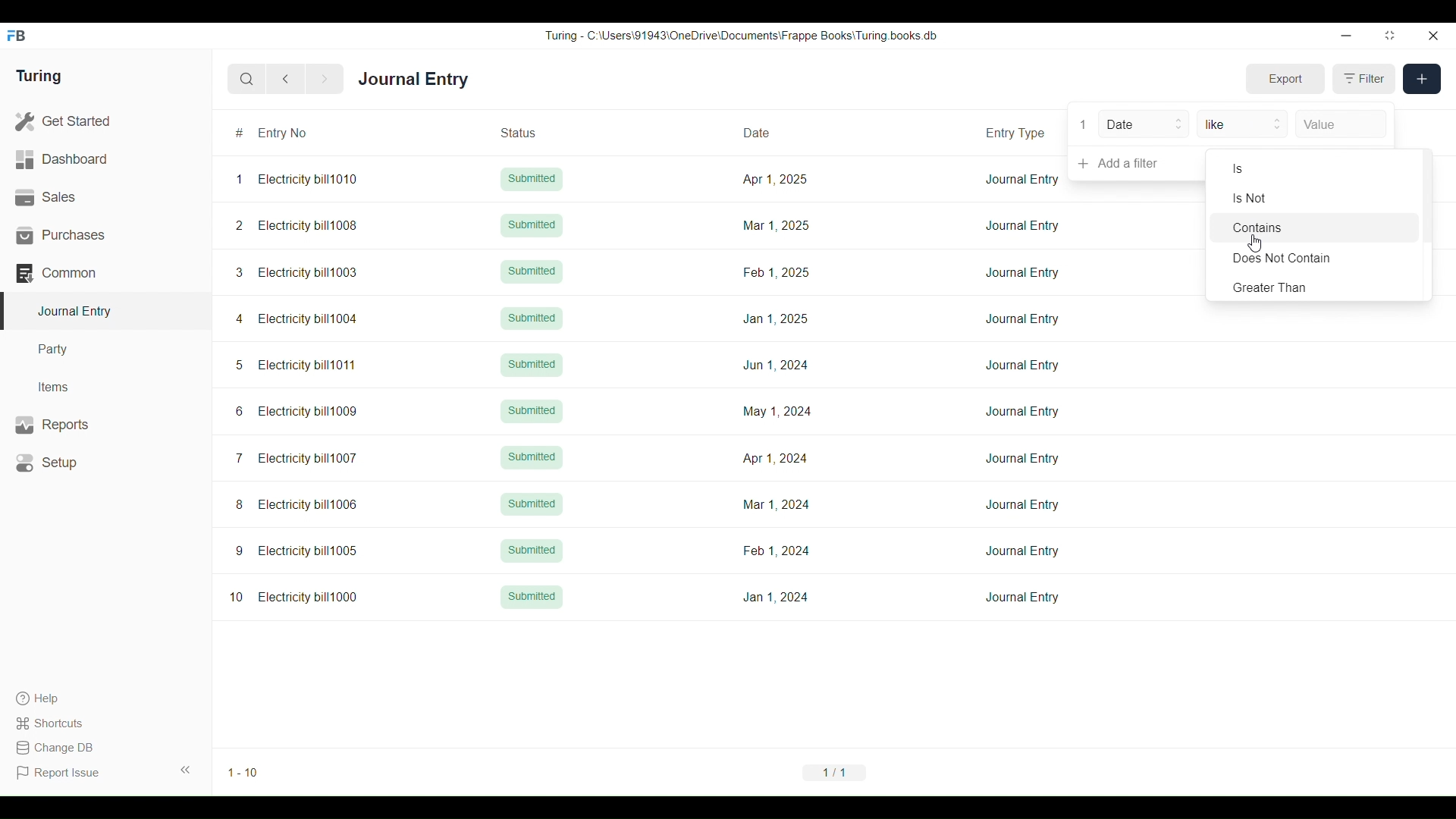 The width and height of the screenshot is (1456, 819). What do you see at coordinates (107, 425) in the screenshot?
I see `Reports` at bounding box center [107, 425].